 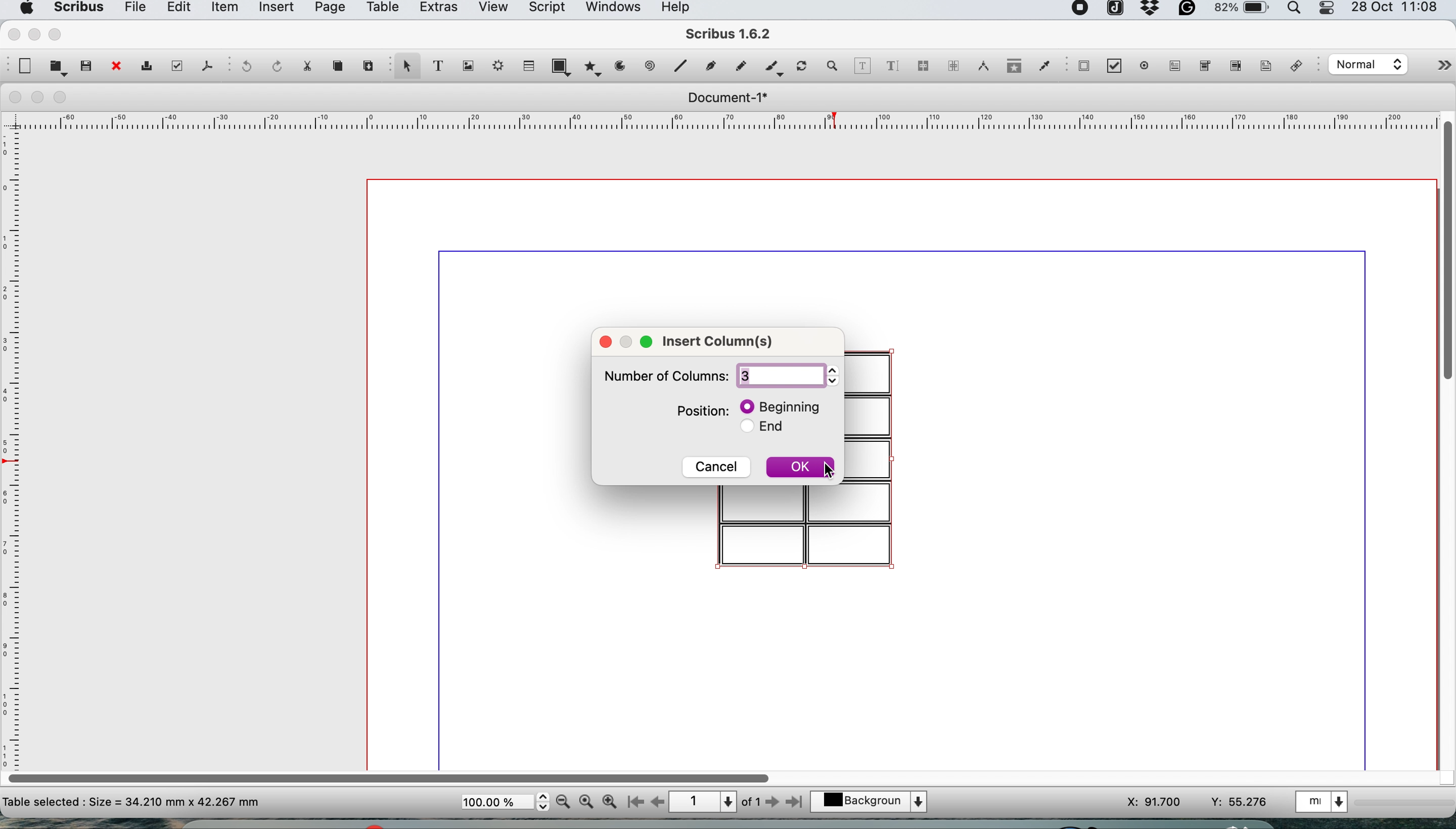 What do you see at coordinates (244, 67) in the screenshot?
I see `undo` at bounding box center [244, 67].